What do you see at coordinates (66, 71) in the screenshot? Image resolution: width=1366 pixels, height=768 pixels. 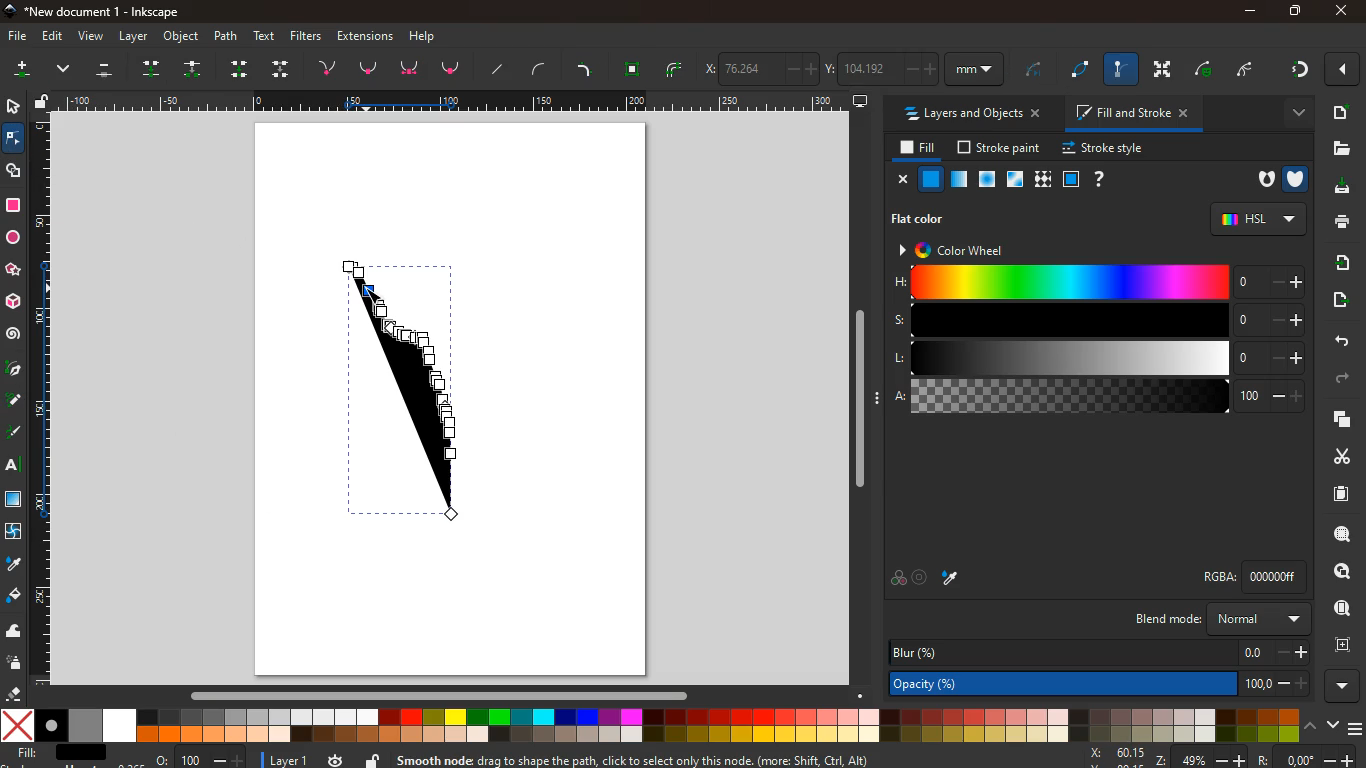 I see `down` at bounding box center [66, 71].